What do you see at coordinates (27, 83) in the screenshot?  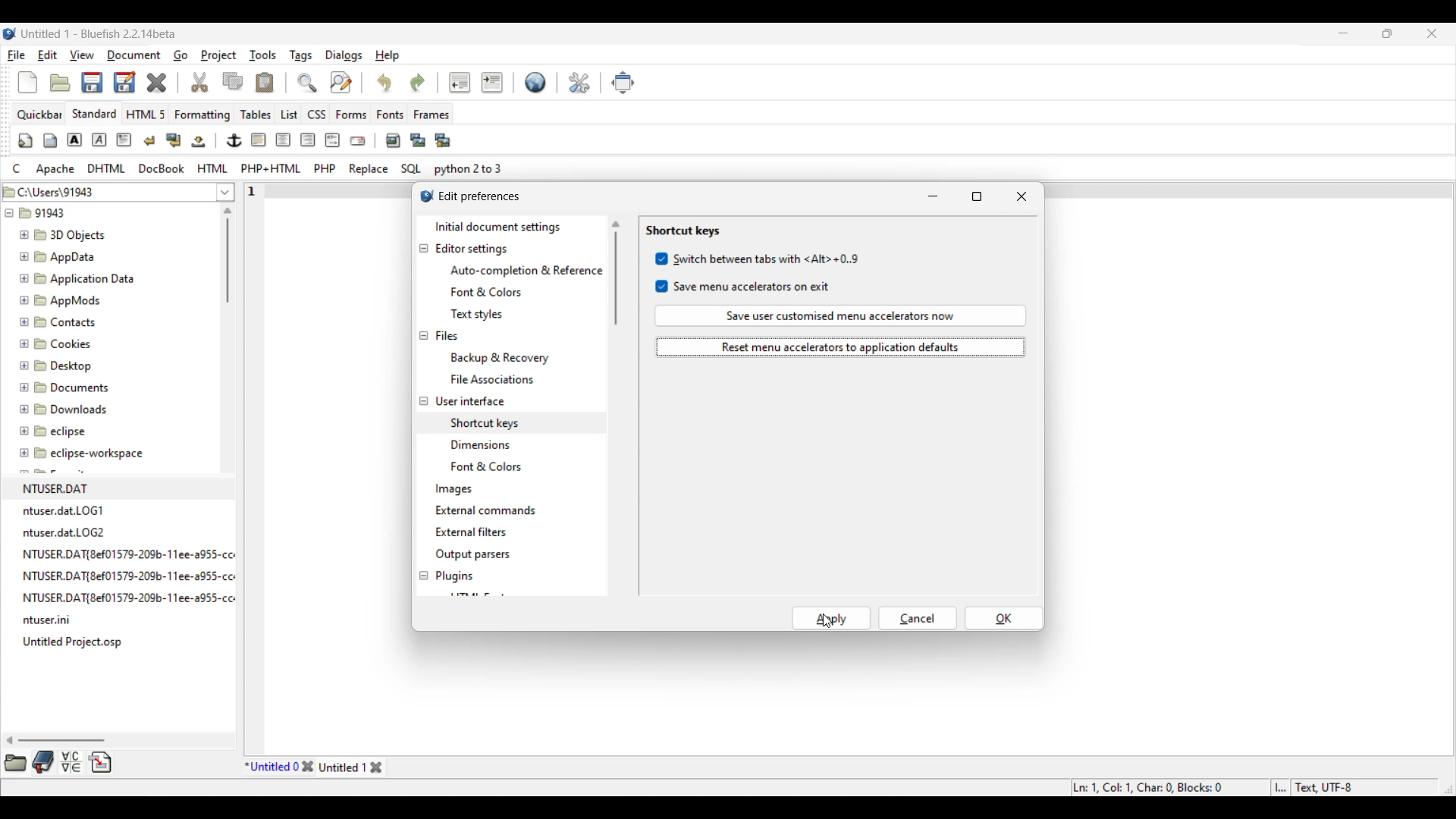 I see `New` at bounding box center [27, 83].